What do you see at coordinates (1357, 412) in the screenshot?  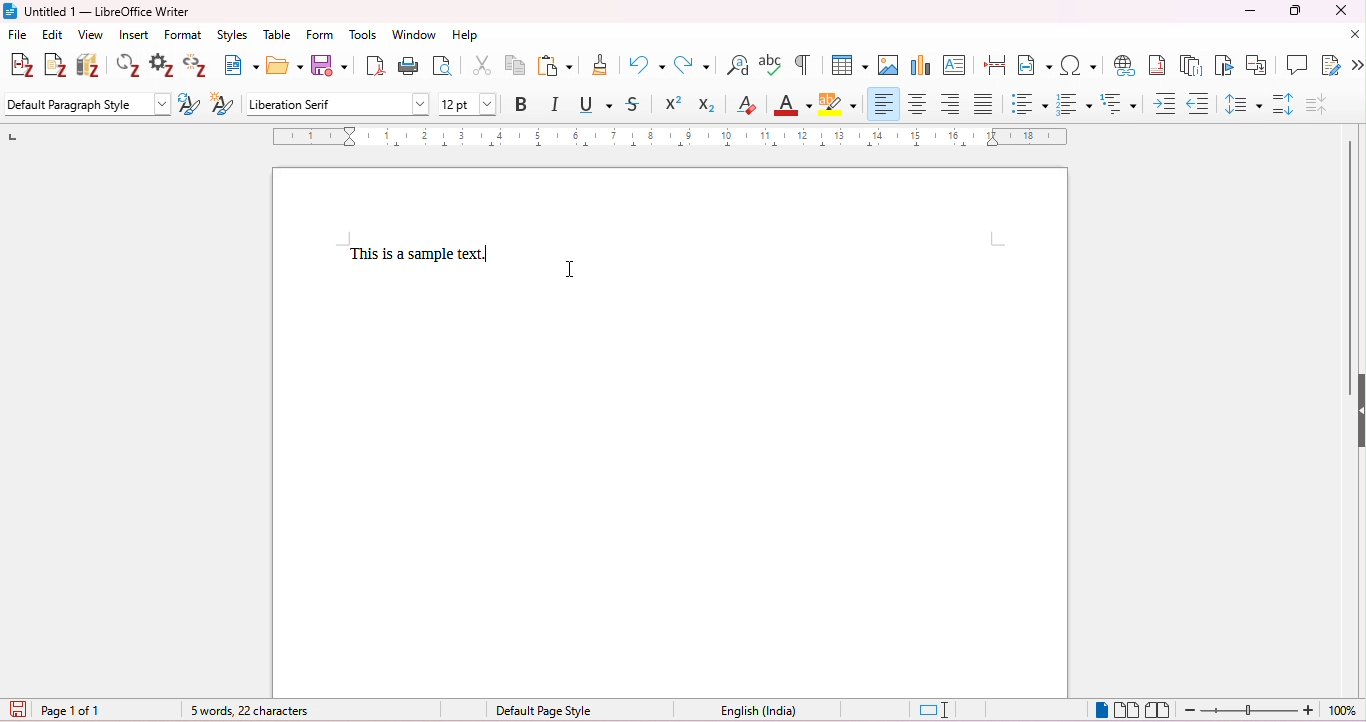 I see `hide/ show` at bounding box center [1357, 412].